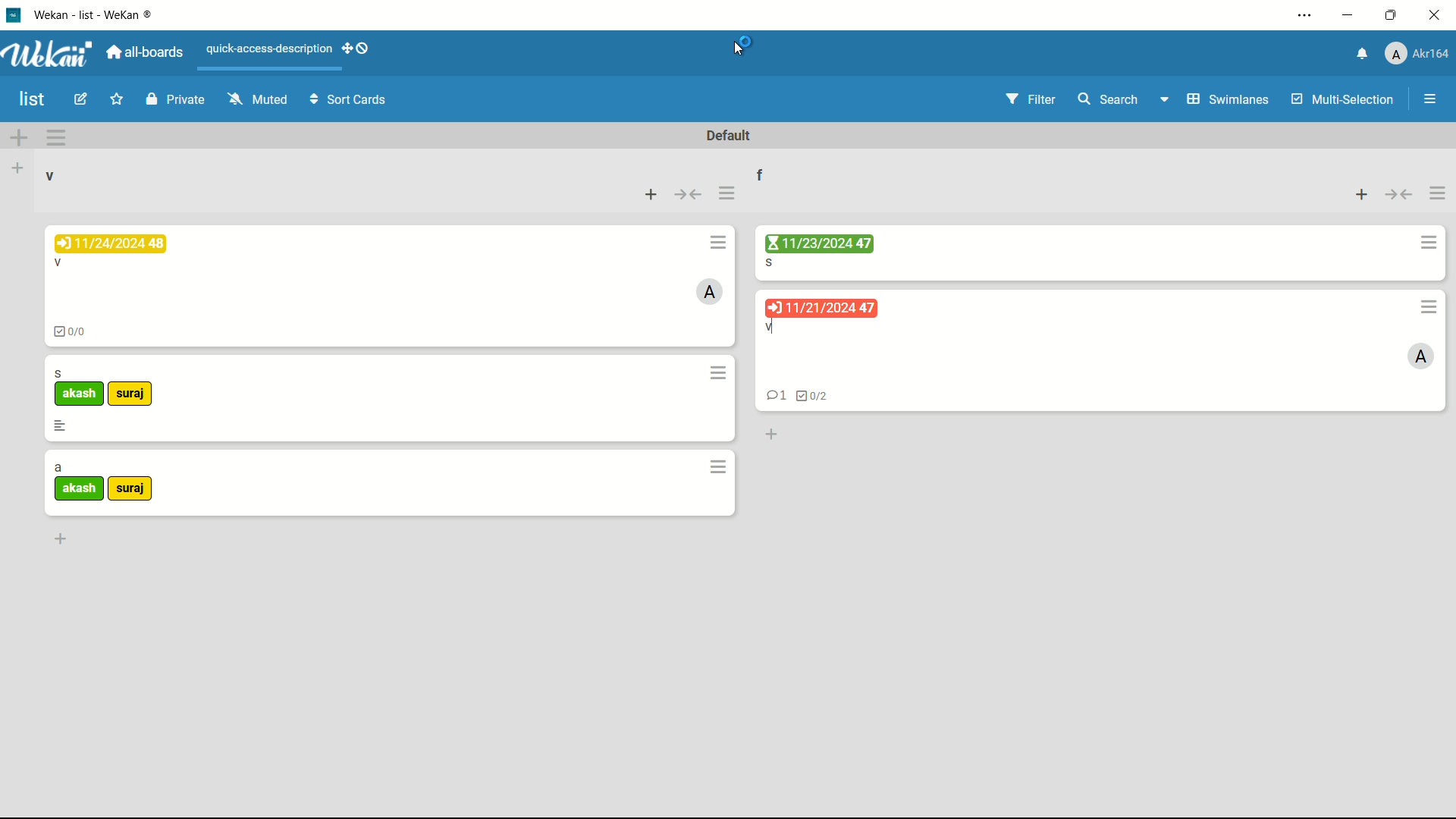 The image size is (1456, 819). Describe the element at coordinates (813, 394) in the screenshot. I see `checklist` at that location.